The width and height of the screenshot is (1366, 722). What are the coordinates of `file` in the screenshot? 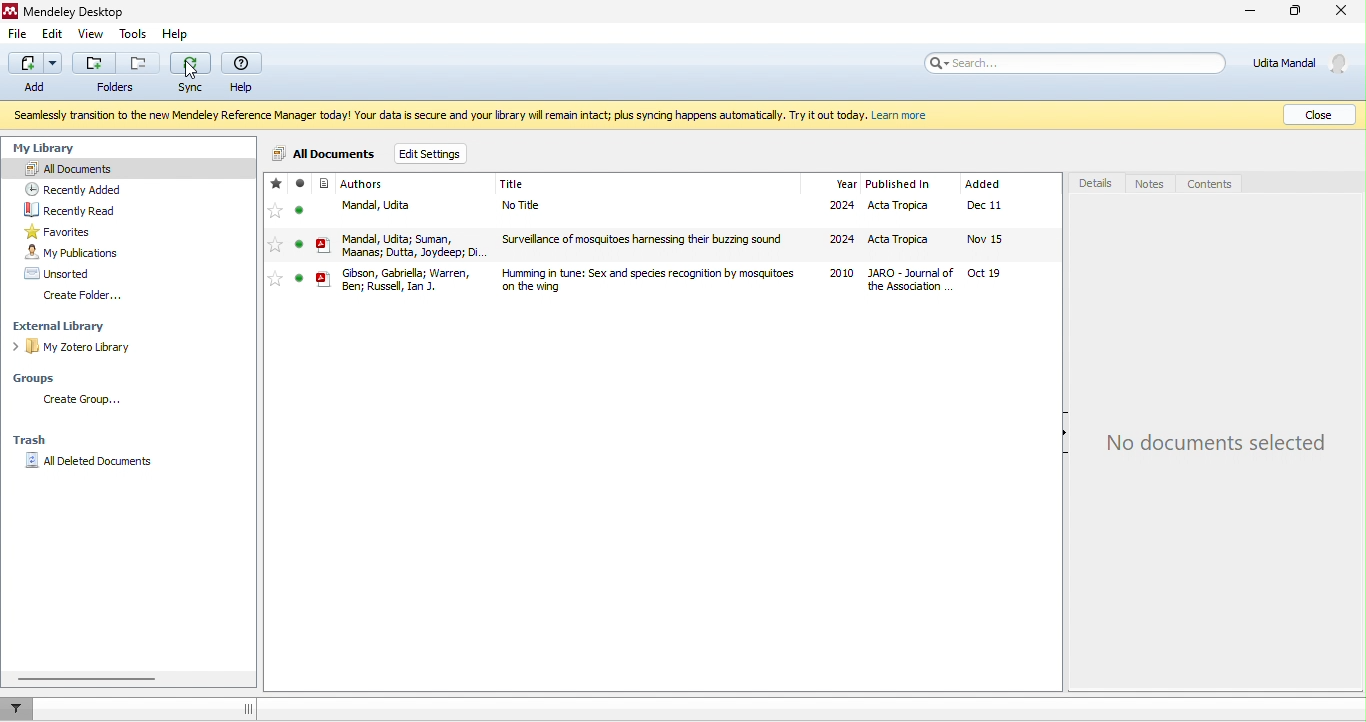 It's located at (21, 34).